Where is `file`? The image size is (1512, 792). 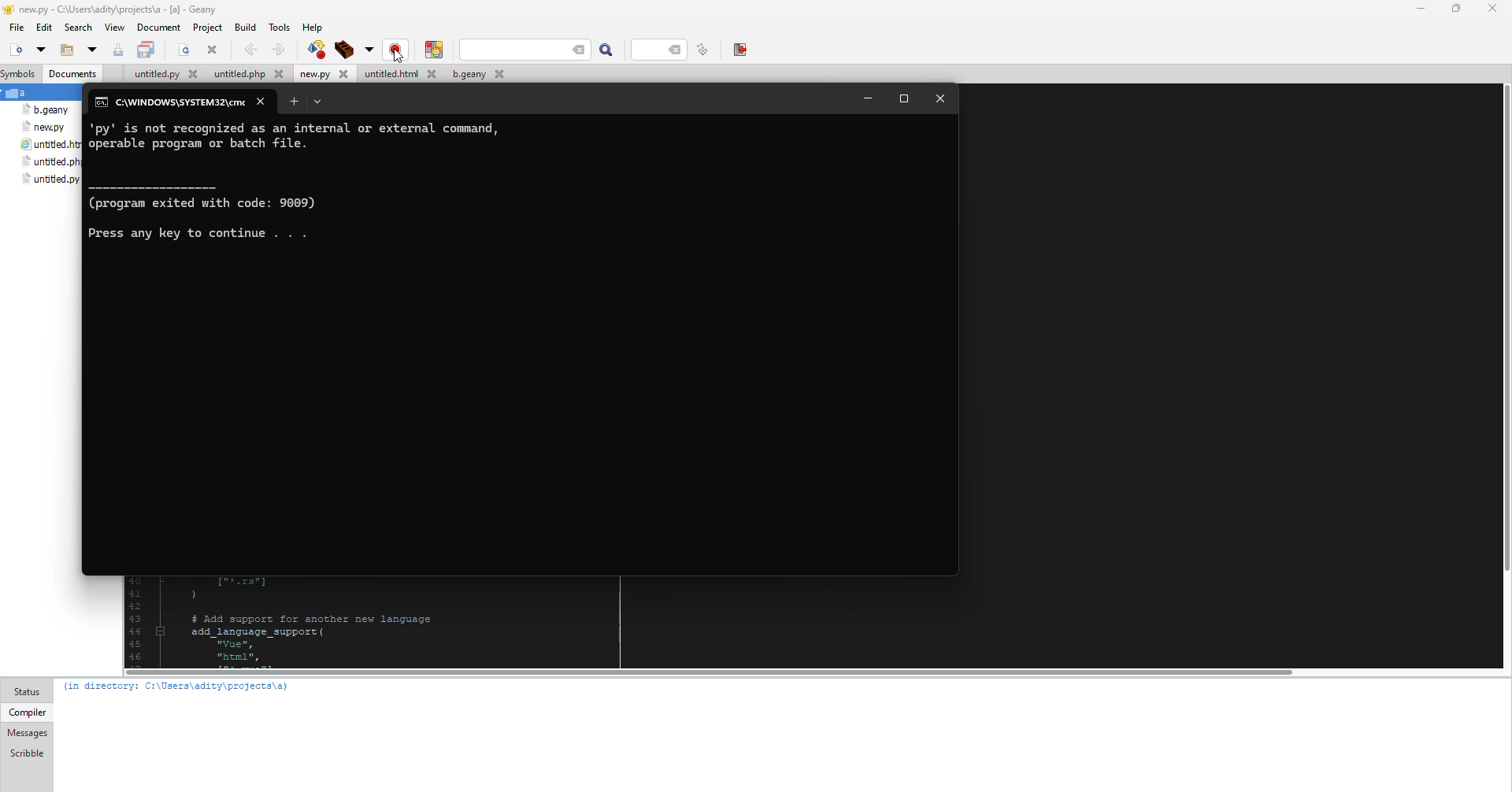 file is located at coordinates (45, 128).